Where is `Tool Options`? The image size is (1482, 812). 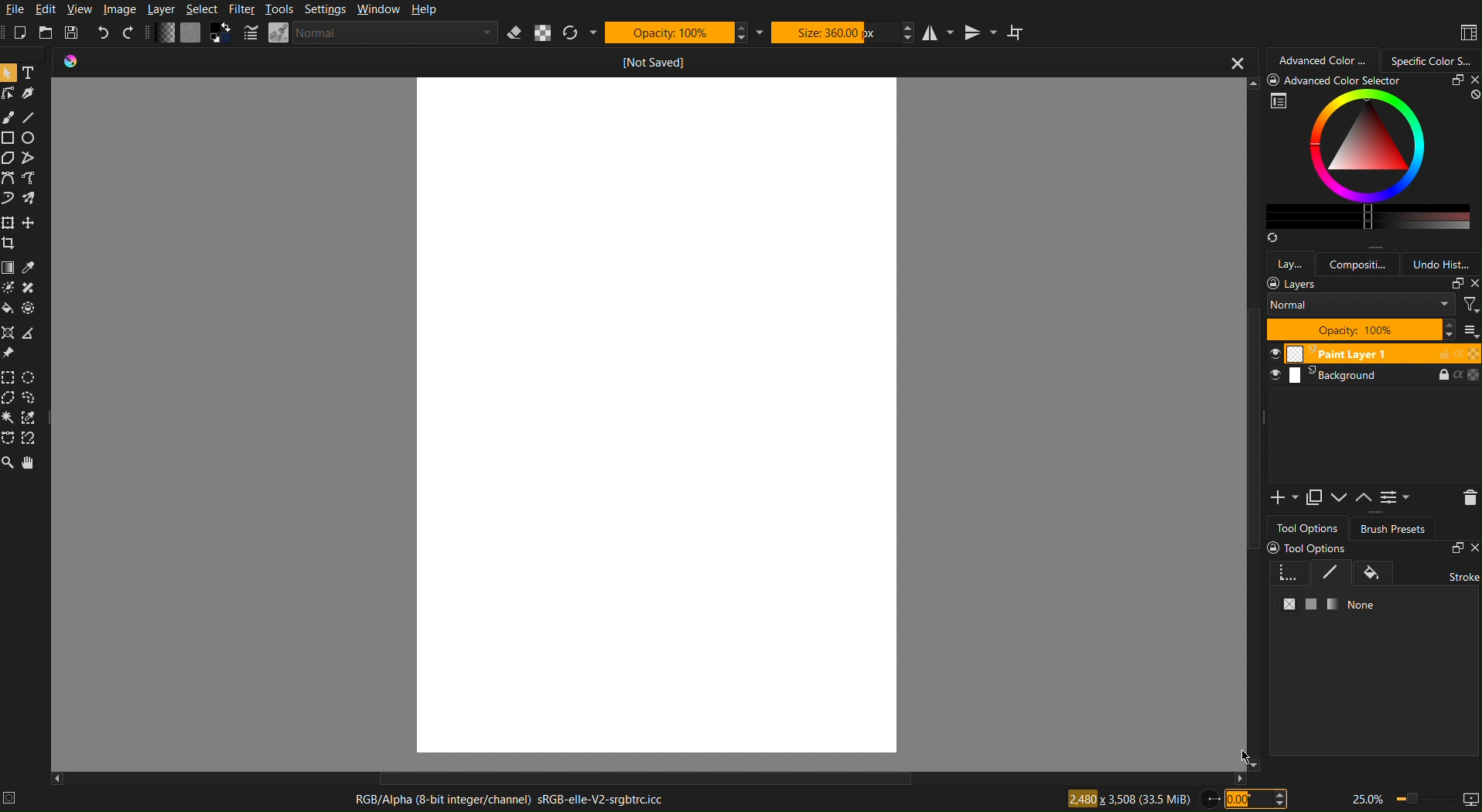 Tool Options is located at coordinates (1308, 526).